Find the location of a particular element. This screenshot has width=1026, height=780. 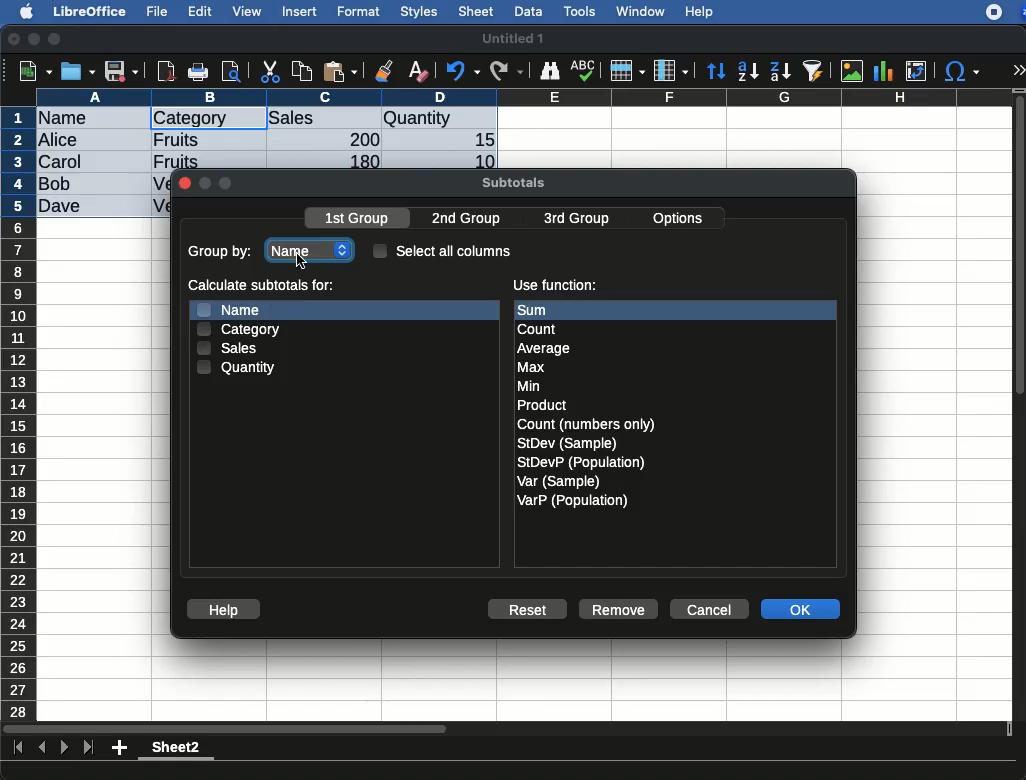

extensions is located at coordinates (1005, 12).